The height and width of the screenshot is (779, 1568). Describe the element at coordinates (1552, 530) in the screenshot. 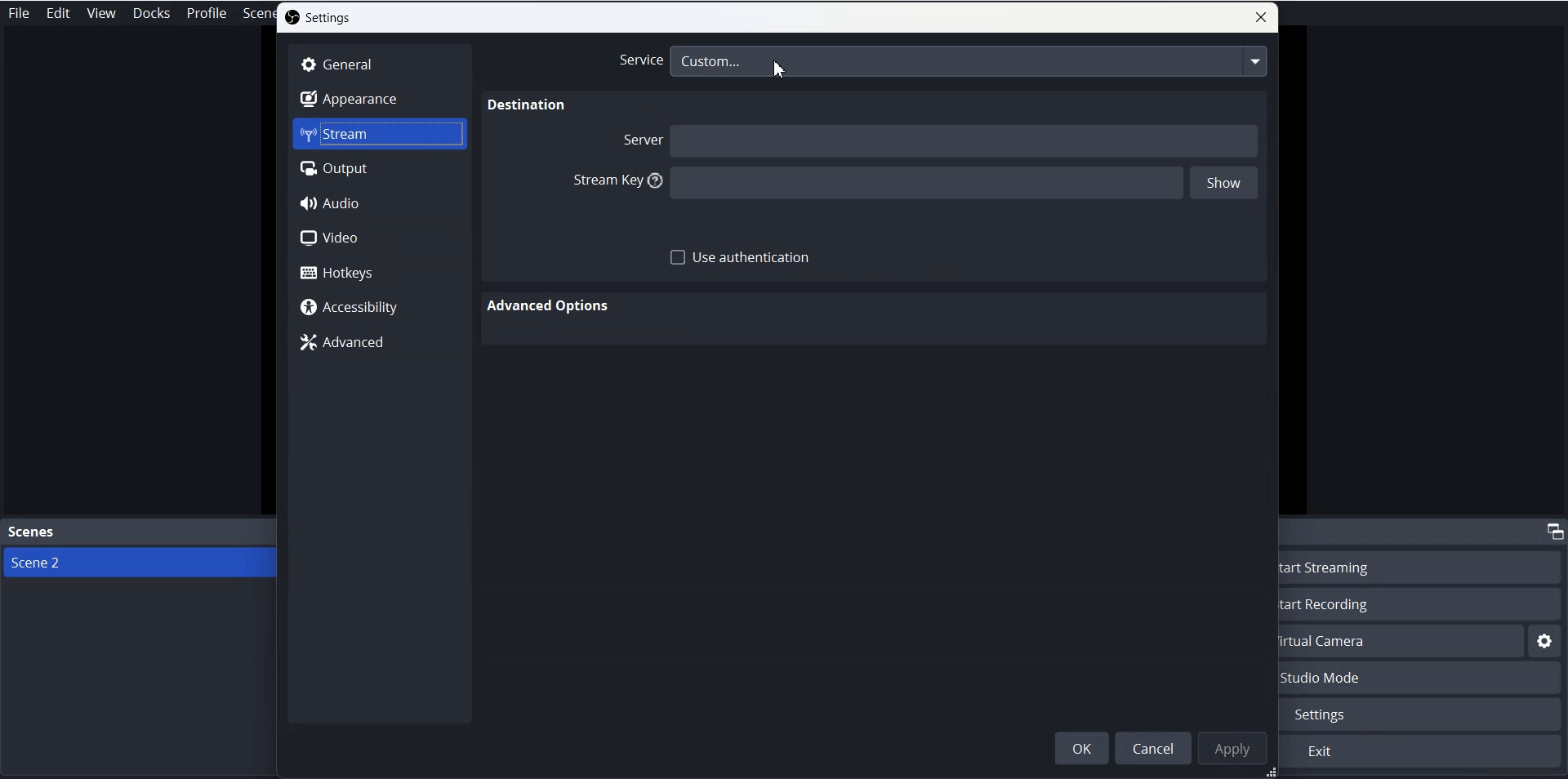

I see `minimise` at that location.